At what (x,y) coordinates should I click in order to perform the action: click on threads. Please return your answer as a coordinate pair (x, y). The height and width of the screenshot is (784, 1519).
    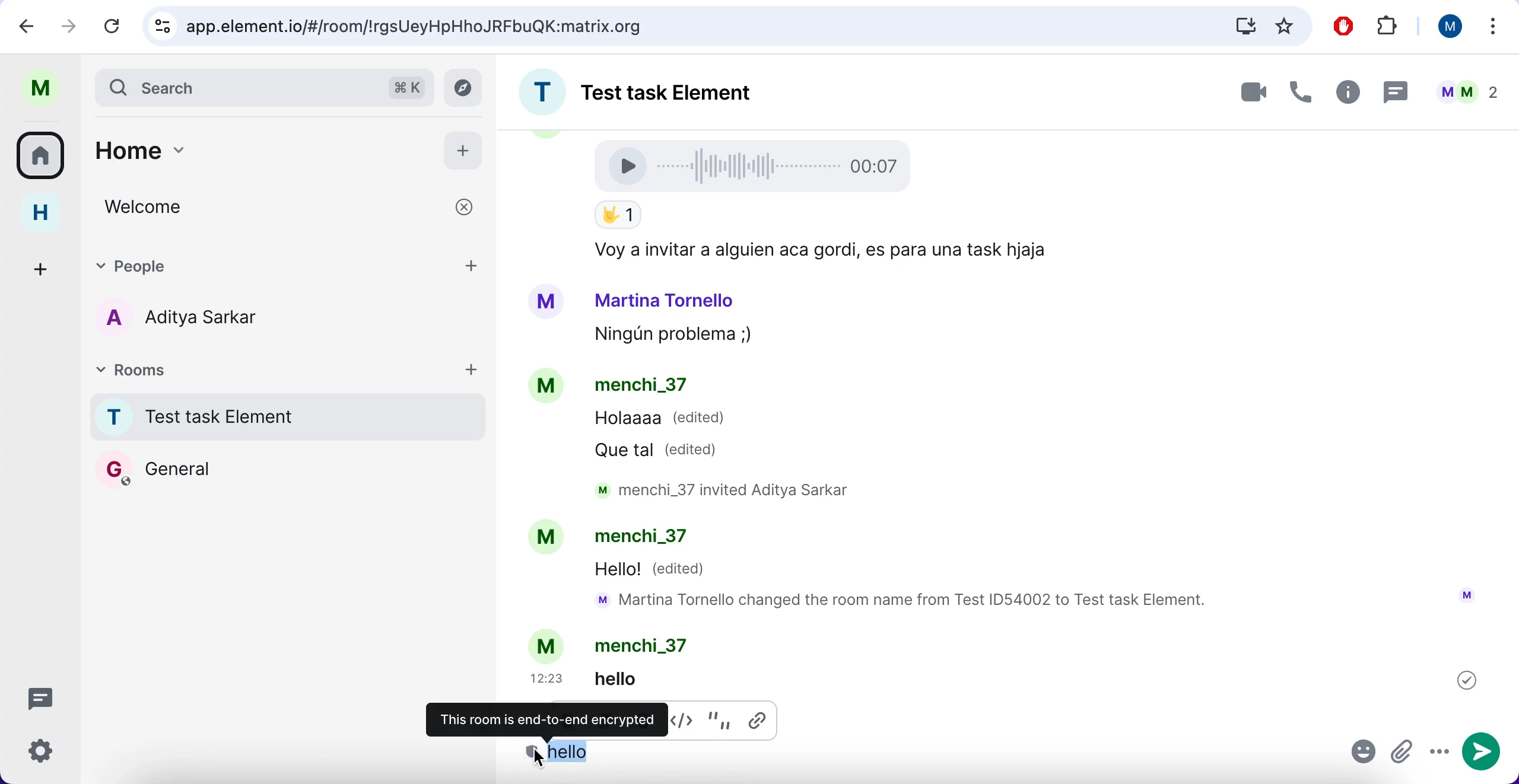
    Looking at the image, I should click on (47, 697).